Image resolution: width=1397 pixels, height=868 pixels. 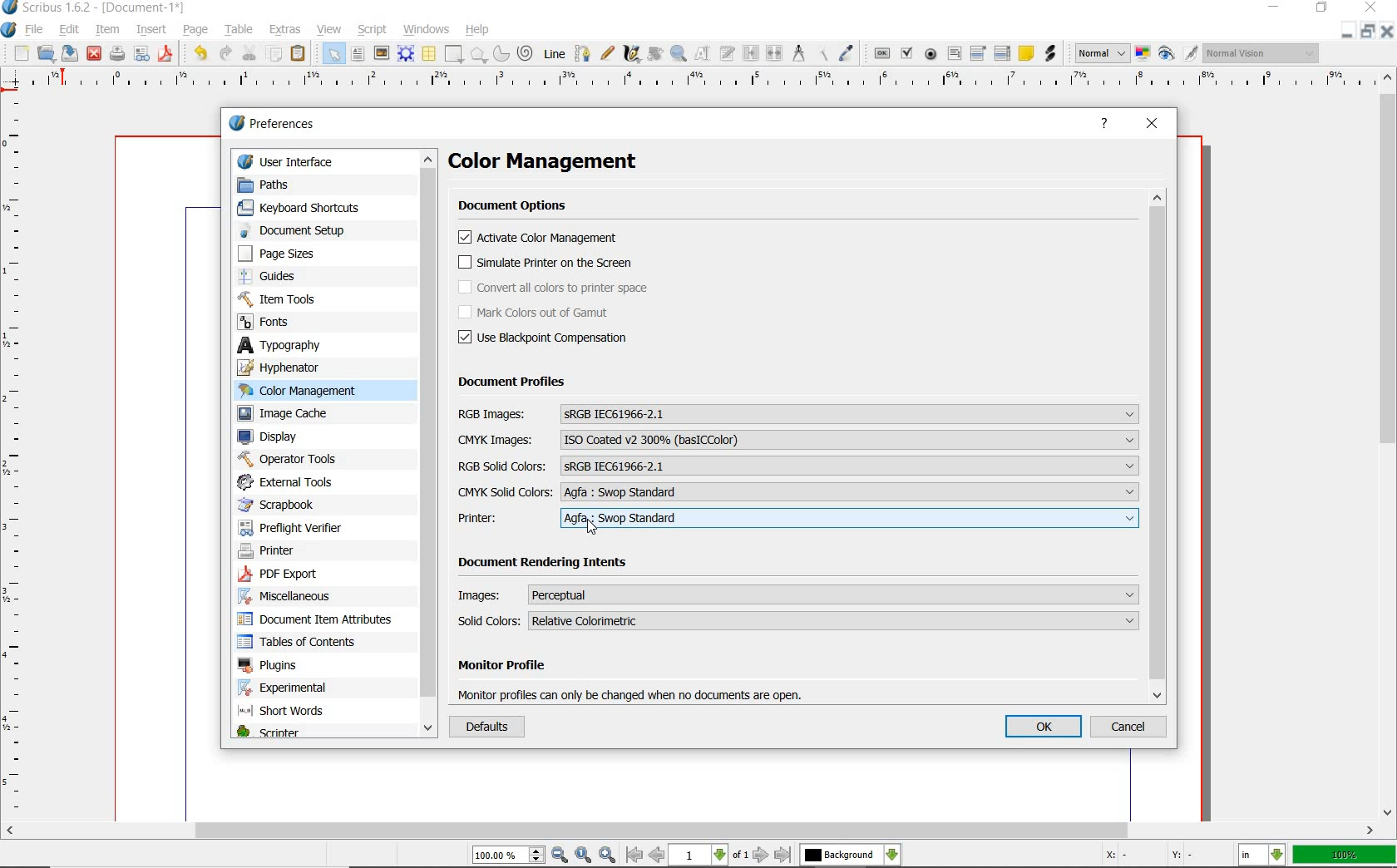 What do you see at coordinates (1148, 856) in the screenshot?
I see `coordinates` at bounding box center [1148, 856].